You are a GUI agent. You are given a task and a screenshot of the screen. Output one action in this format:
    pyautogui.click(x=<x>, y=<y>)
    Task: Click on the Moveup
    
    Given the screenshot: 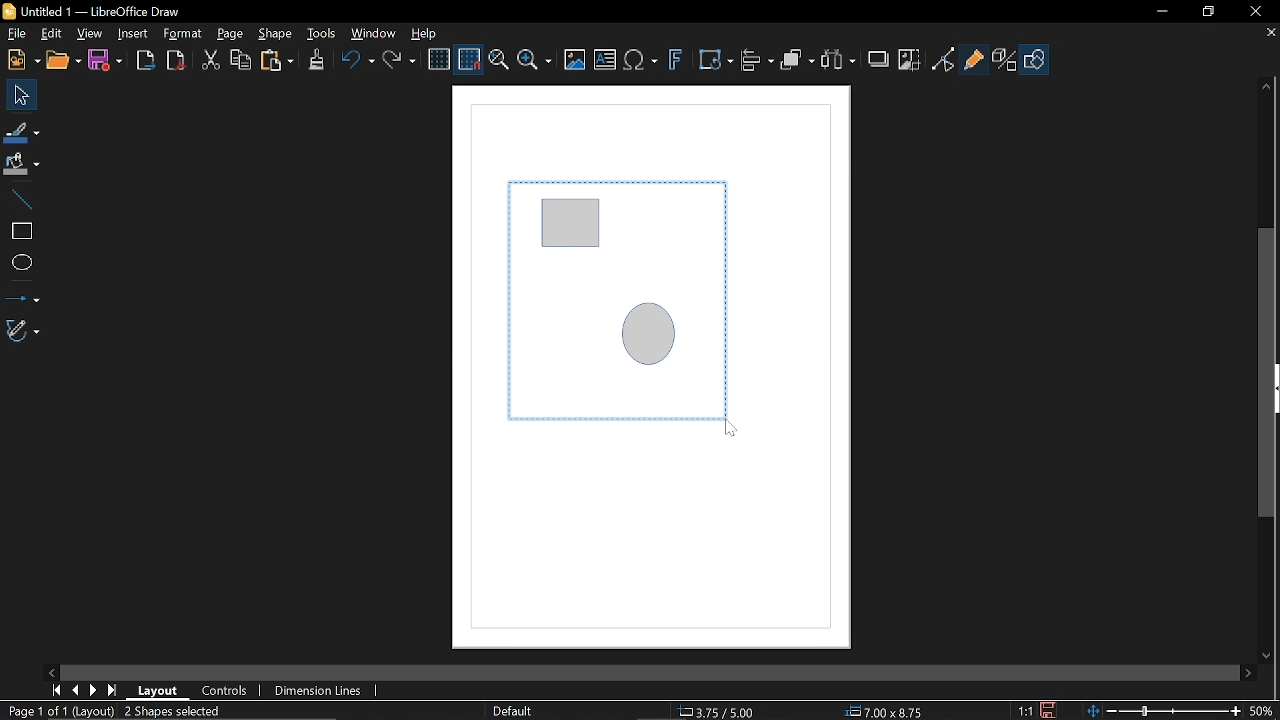 What is the action you would take?
    pyautogui.click(x=1266, y=86)
    